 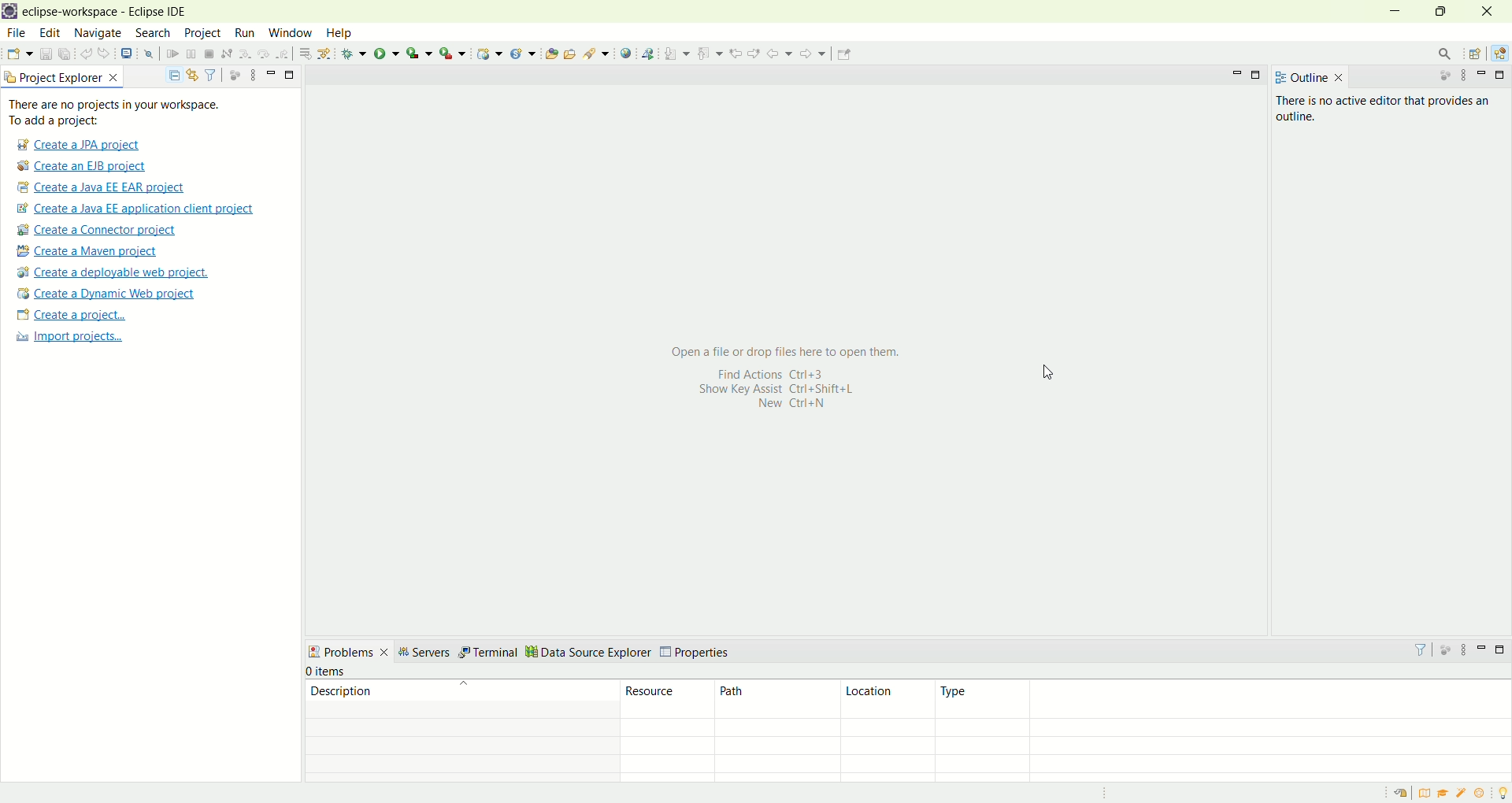 I want to click on filter, so click(x=209, y=73).